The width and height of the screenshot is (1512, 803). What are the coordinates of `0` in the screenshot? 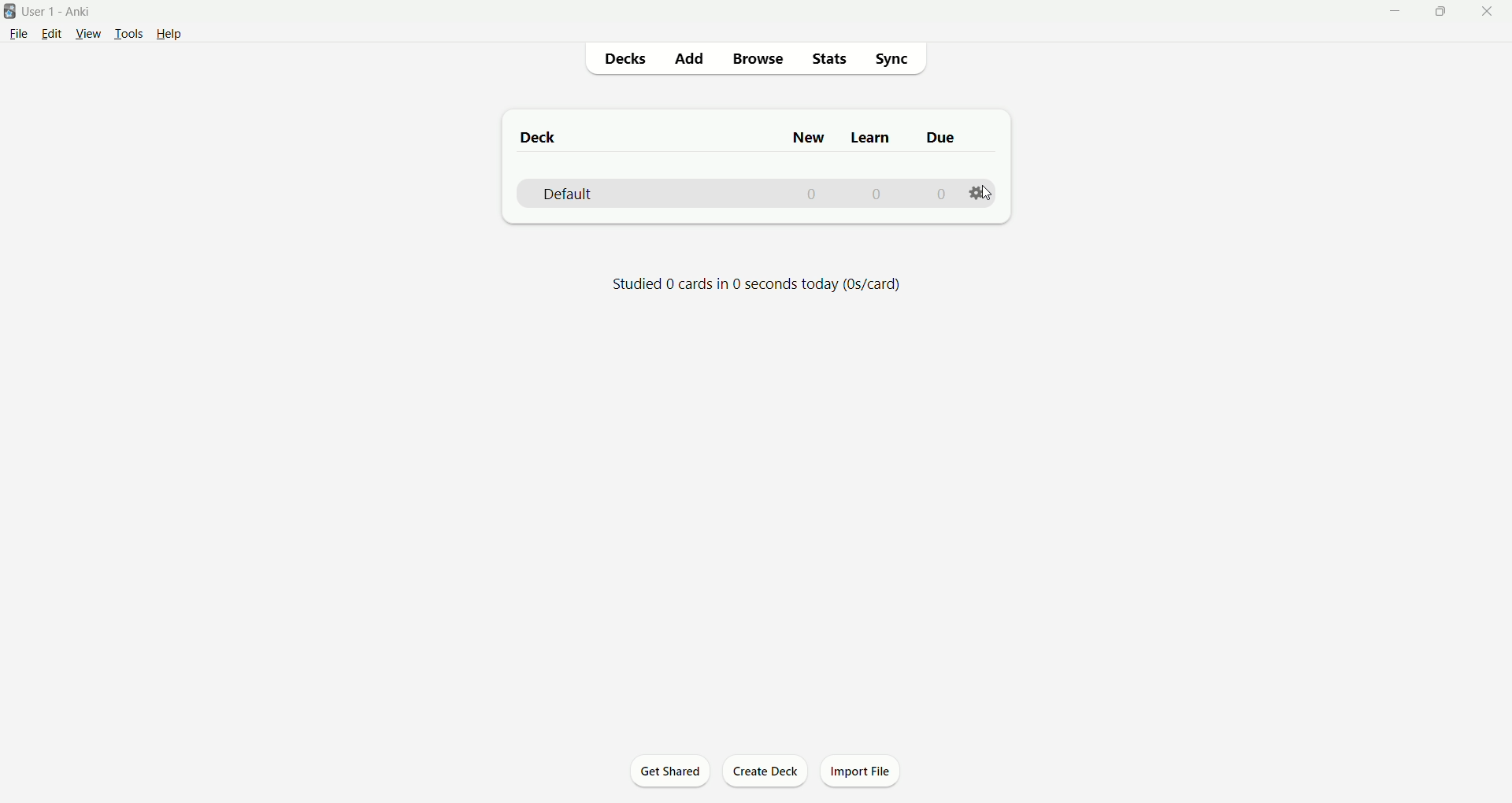 It's located at (876, 194).